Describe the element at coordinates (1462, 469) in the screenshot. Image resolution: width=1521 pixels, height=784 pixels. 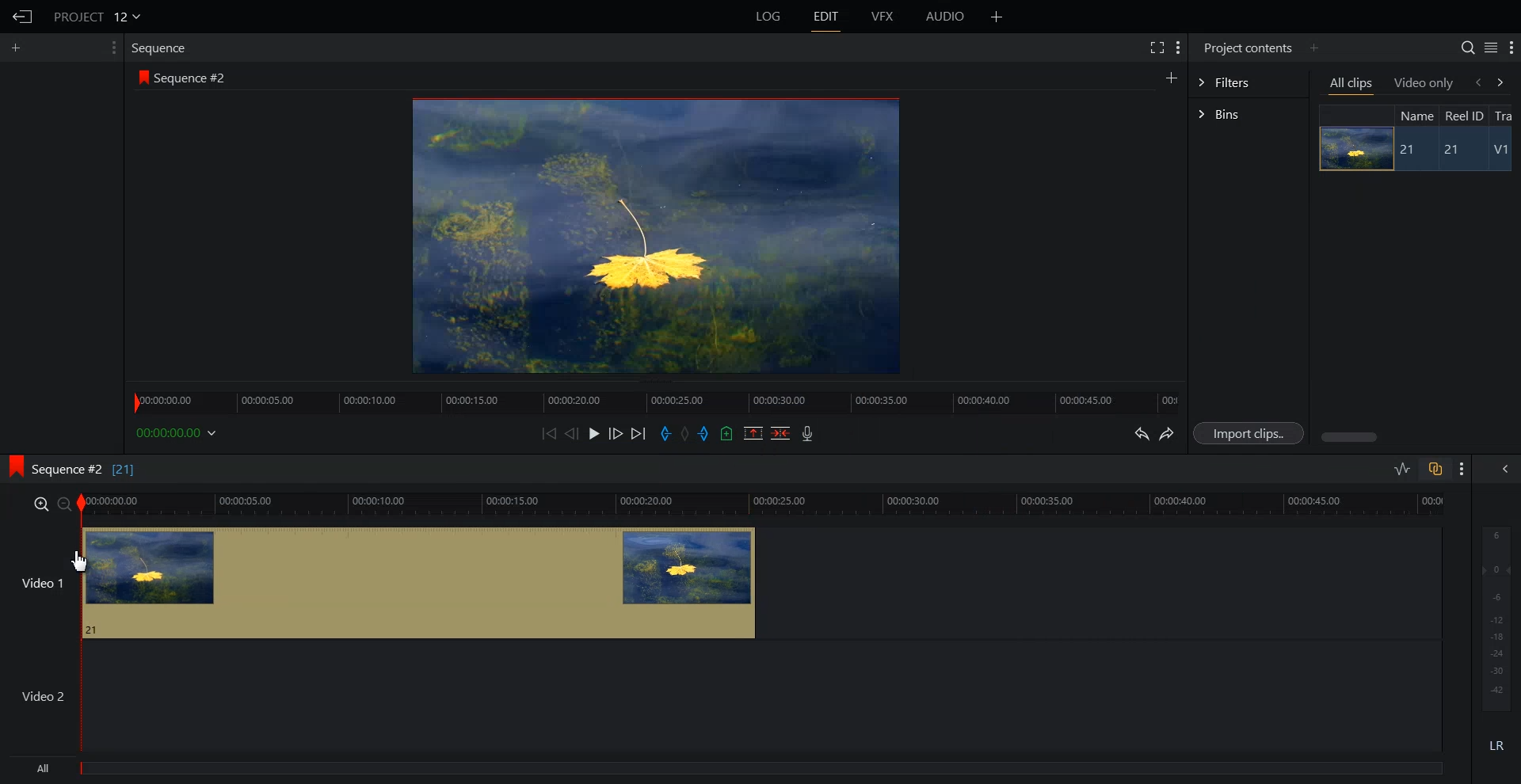
I see `Show setting menu` at that location.